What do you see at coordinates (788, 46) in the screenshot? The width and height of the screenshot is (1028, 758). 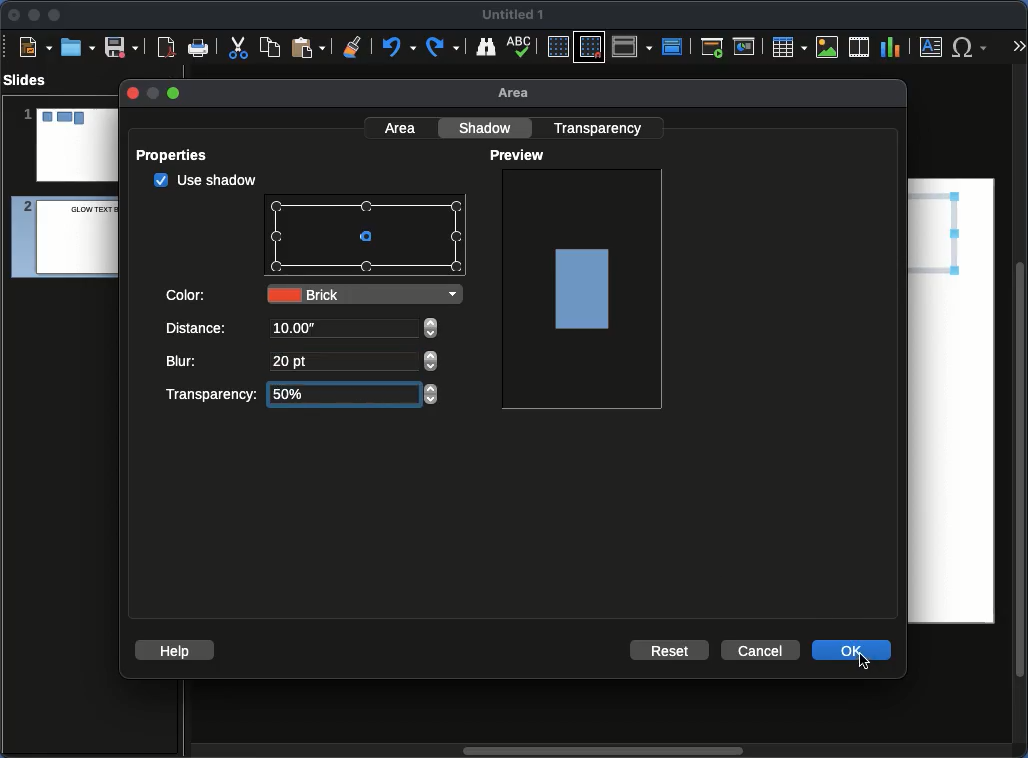 I see `Table` at bounding box center [788, 46].